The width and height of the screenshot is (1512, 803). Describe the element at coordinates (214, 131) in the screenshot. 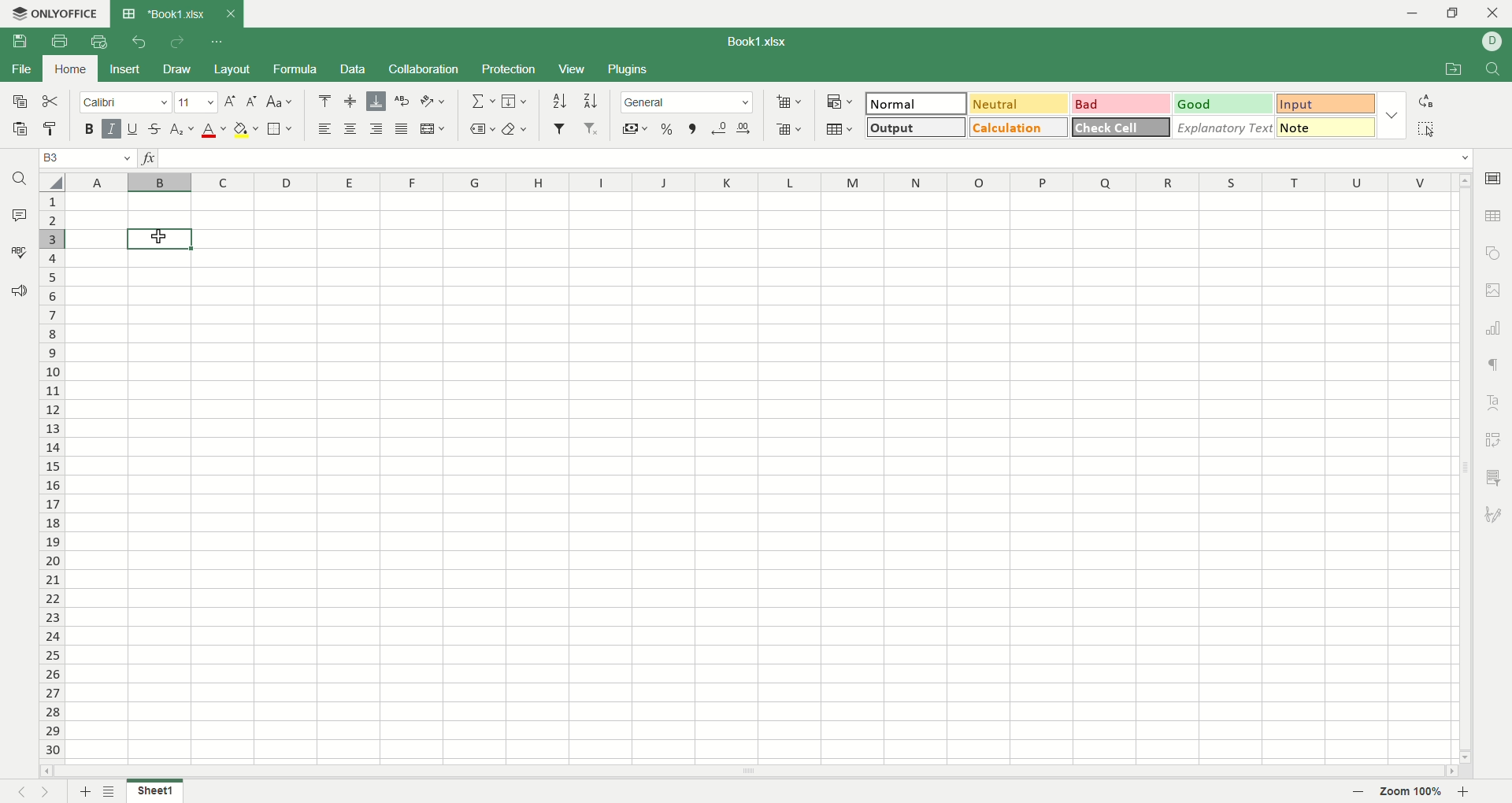

I see `font color` at that location.